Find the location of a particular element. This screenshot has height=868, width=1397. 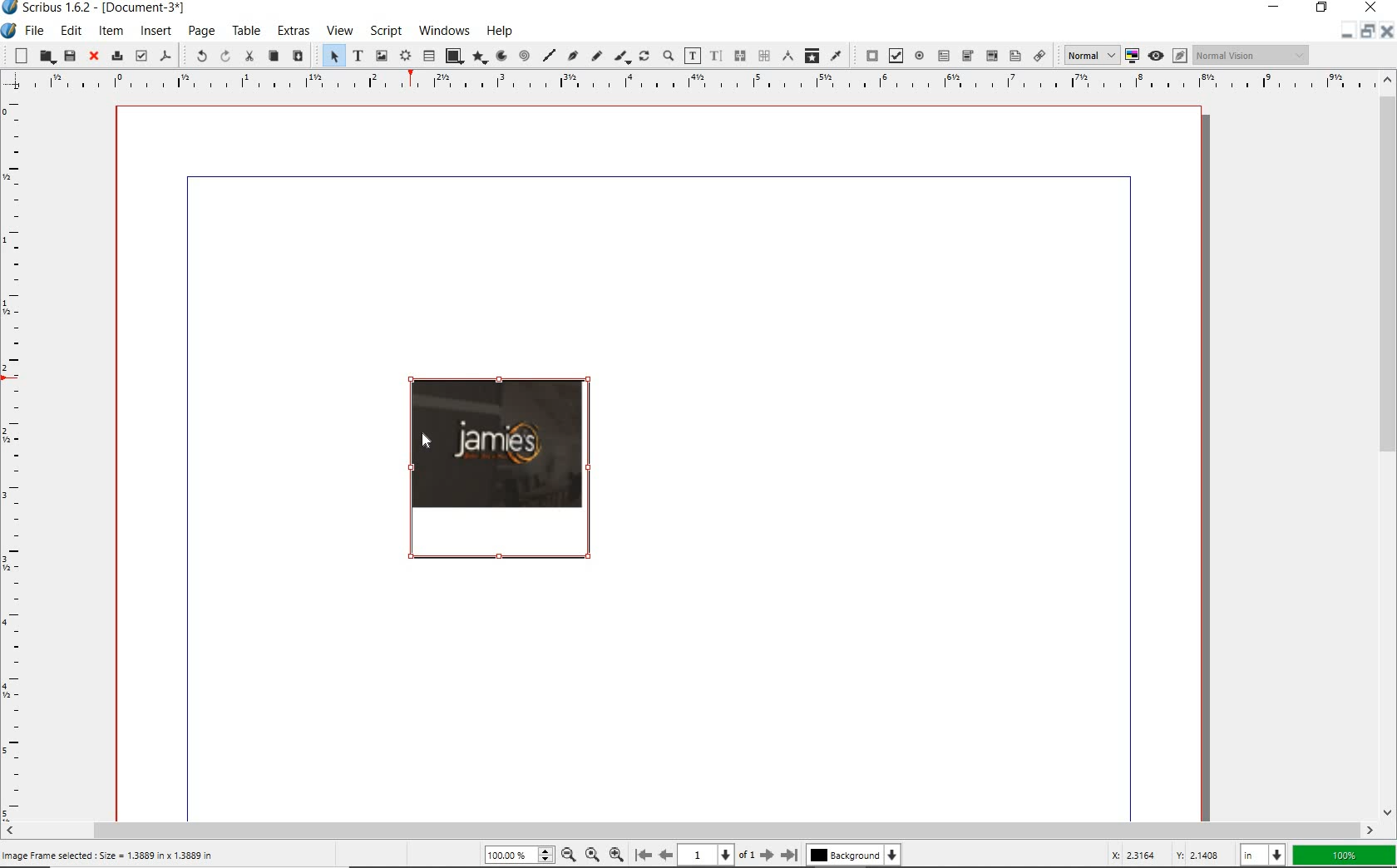

new is located at coordinates (20, 56).